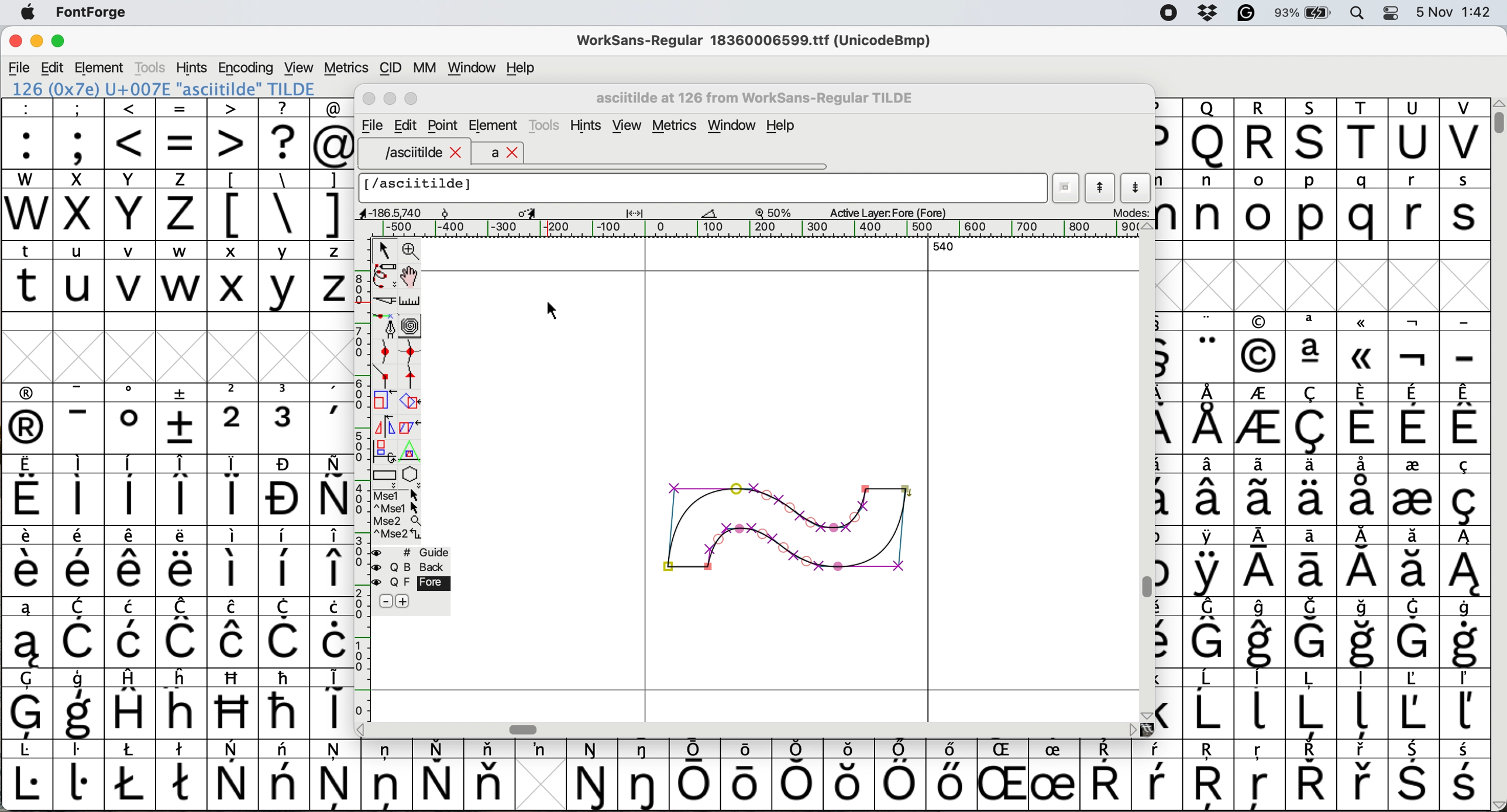 The height and width of the screenshot is (812, 1507). Describe the element at coordinates (749, 773) in the screenshot. I see `symbol` at that location.